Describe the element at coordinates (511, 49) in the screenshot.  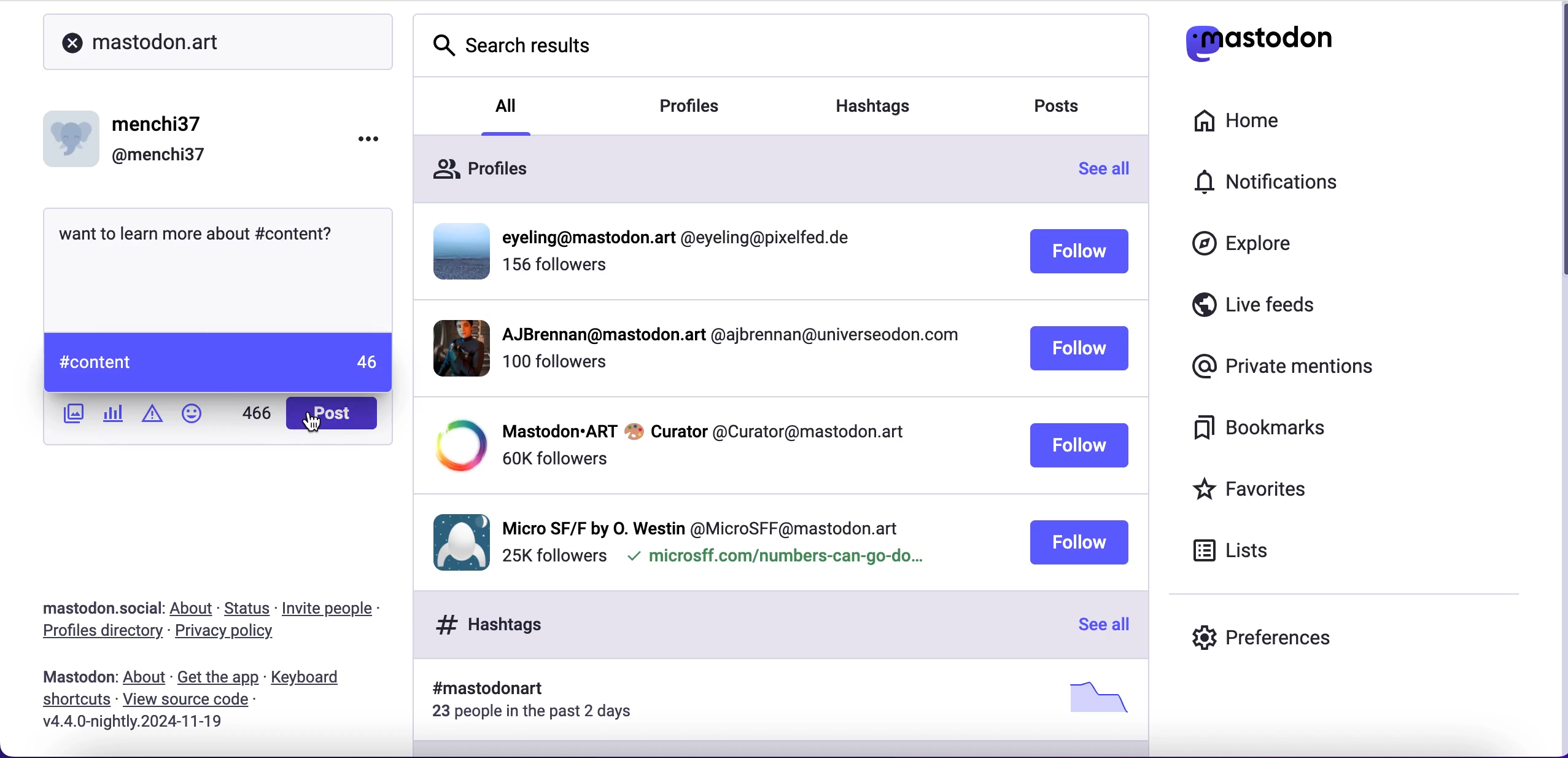
I see `search results` at that location.